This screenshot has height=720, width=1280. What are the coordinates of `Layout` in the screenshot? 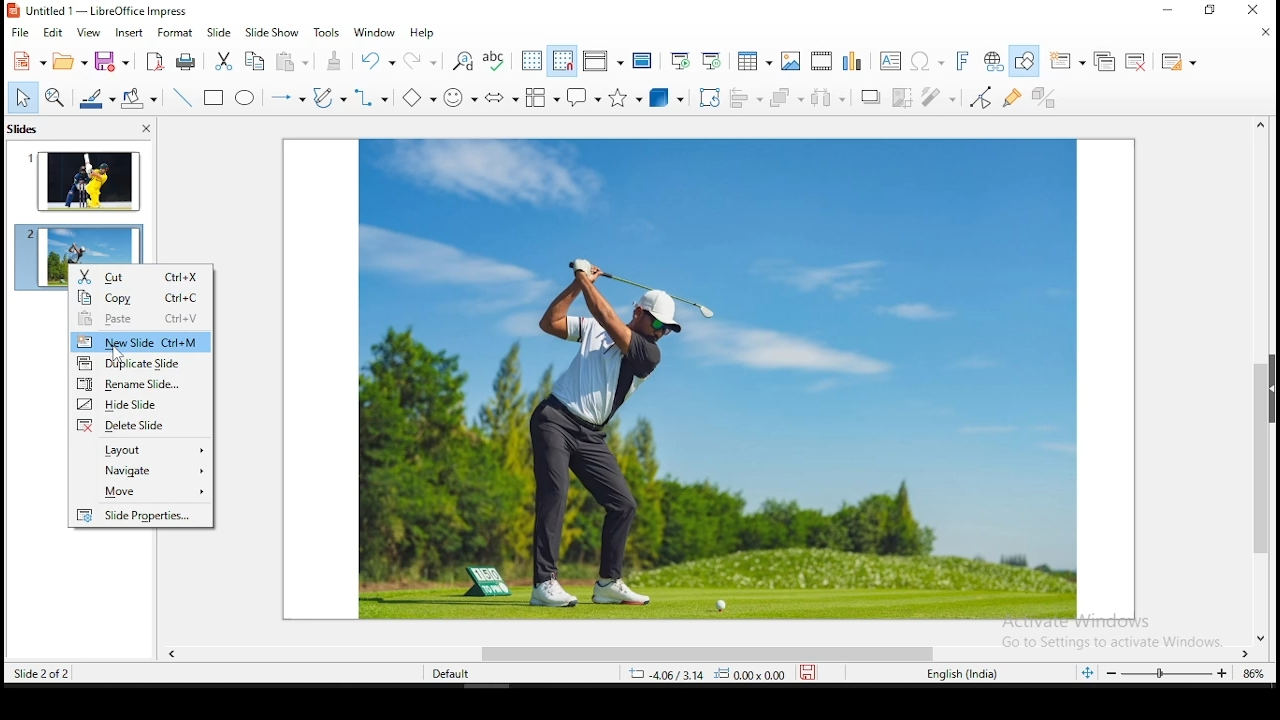 It's located at (143, 451).